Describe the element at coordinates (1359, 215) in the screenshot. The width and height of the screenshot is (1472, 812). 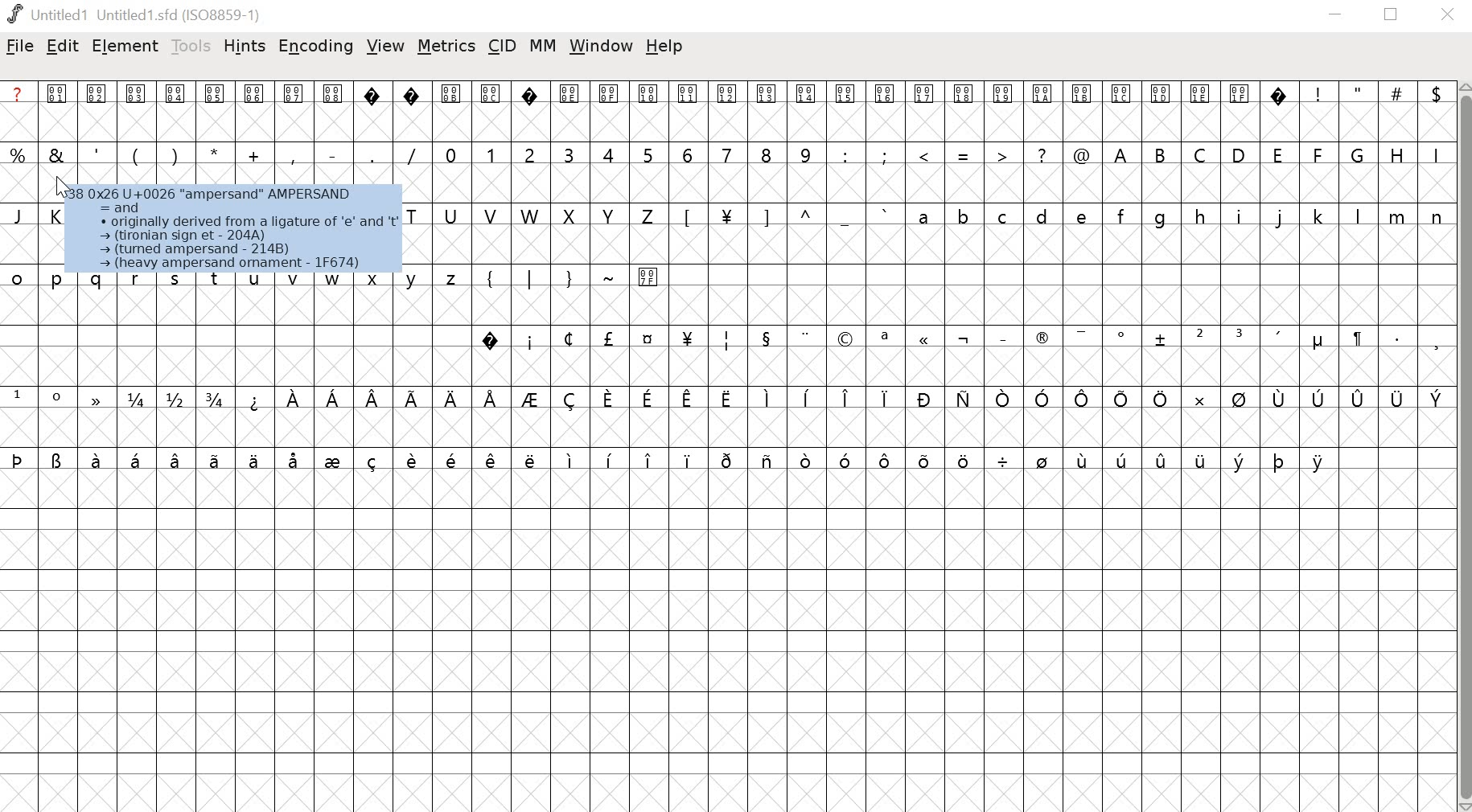
I see `l` at that location.